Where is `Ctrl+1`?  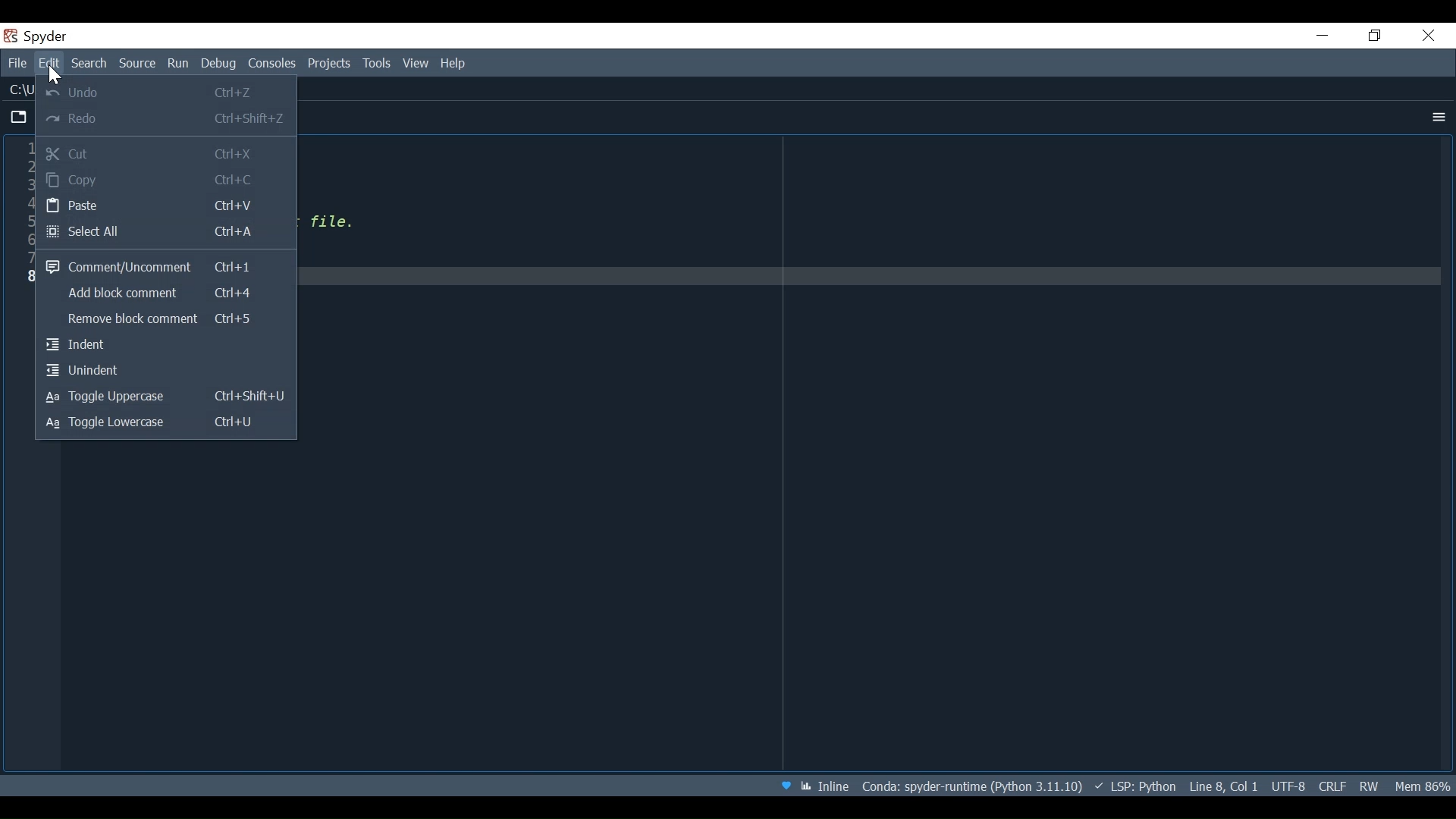
Ctrl+1 is located at coordinates (234, 268).